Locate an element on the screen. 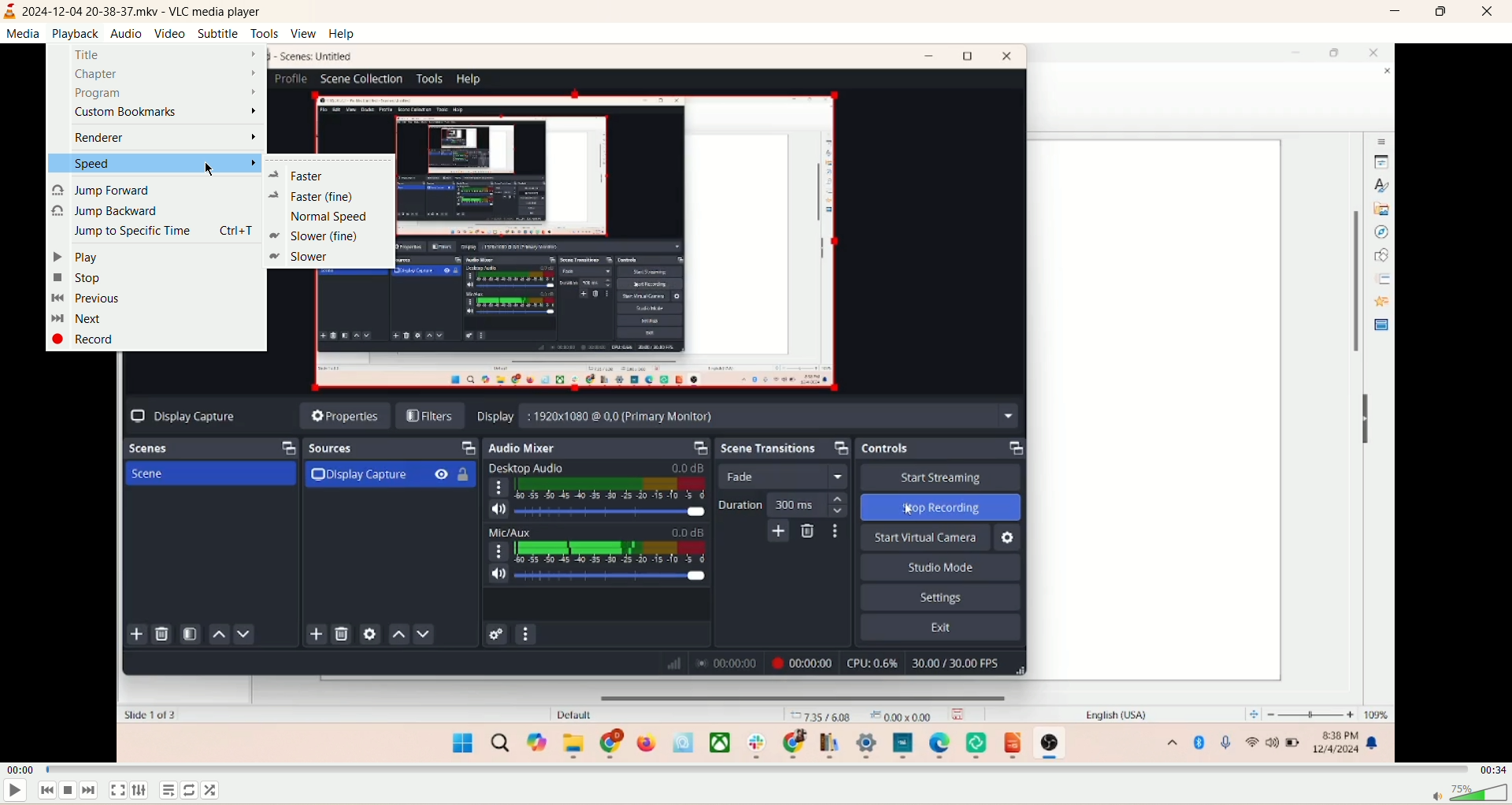  2024-12-04 20-38-37.mkv - VLC media player is located at coordinates (153, 13).